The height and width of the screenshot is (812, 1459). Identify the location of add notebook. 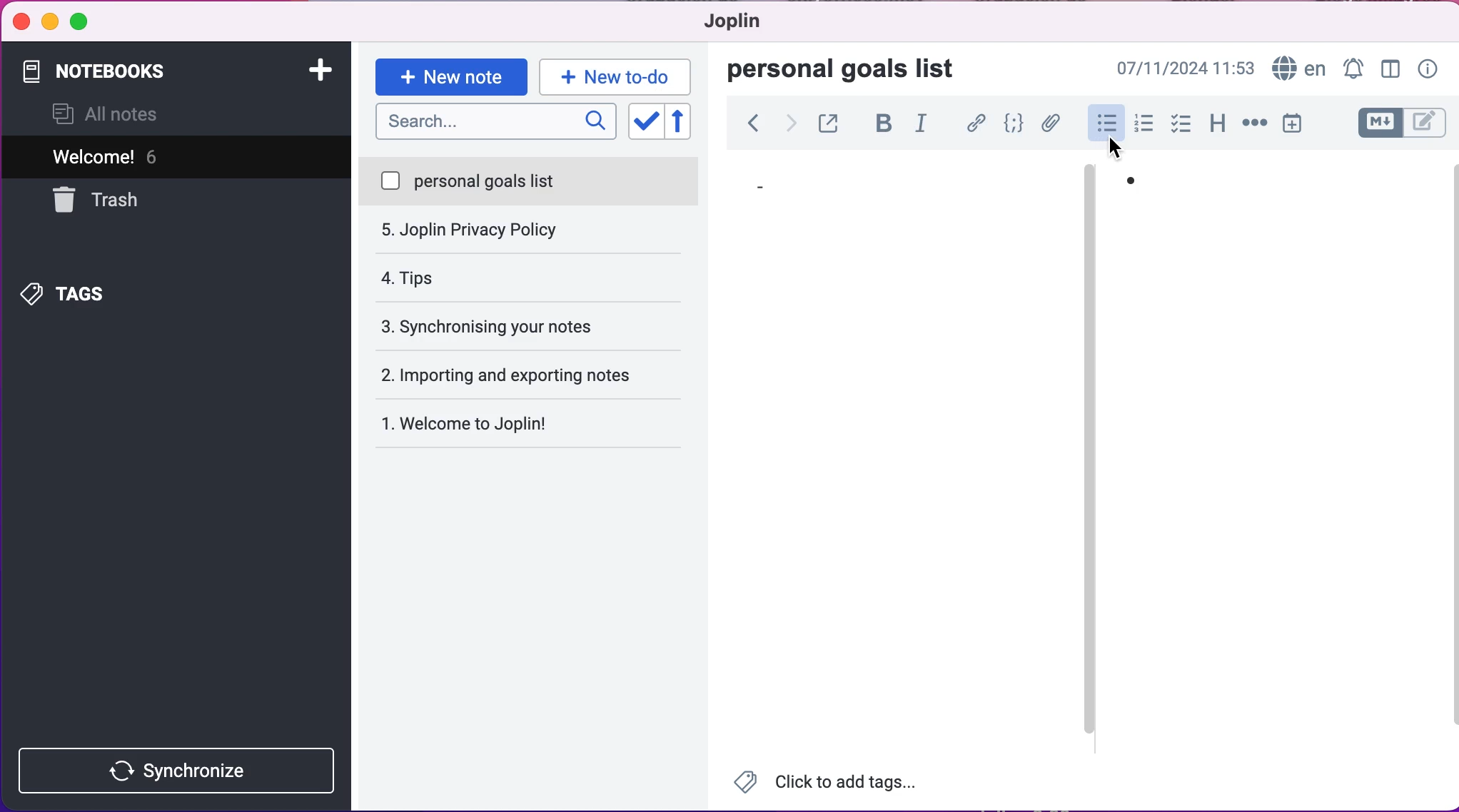
(323, 73).